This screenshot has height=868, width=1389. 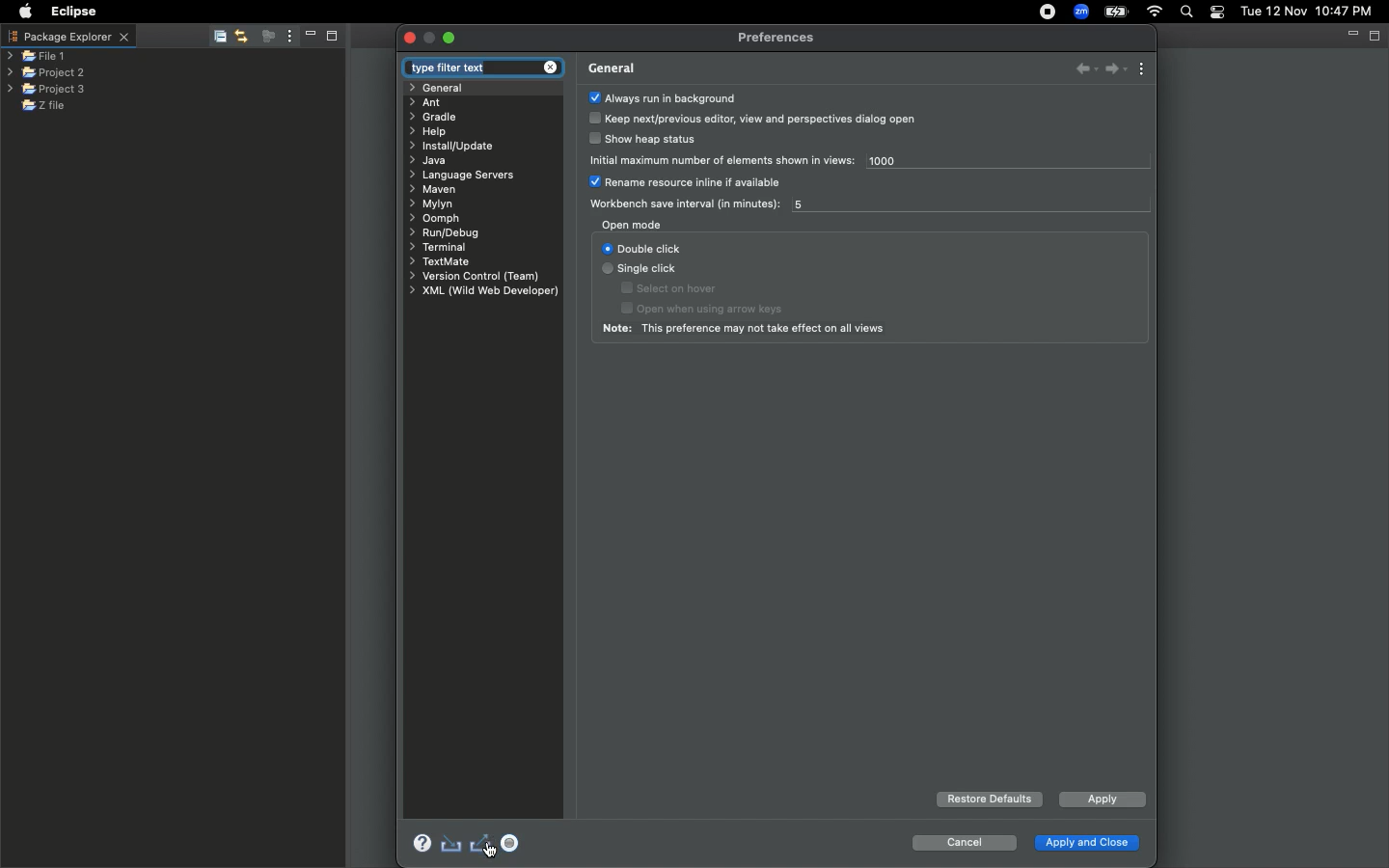 I want to click on Collapse all, so click(x=218, y=36).